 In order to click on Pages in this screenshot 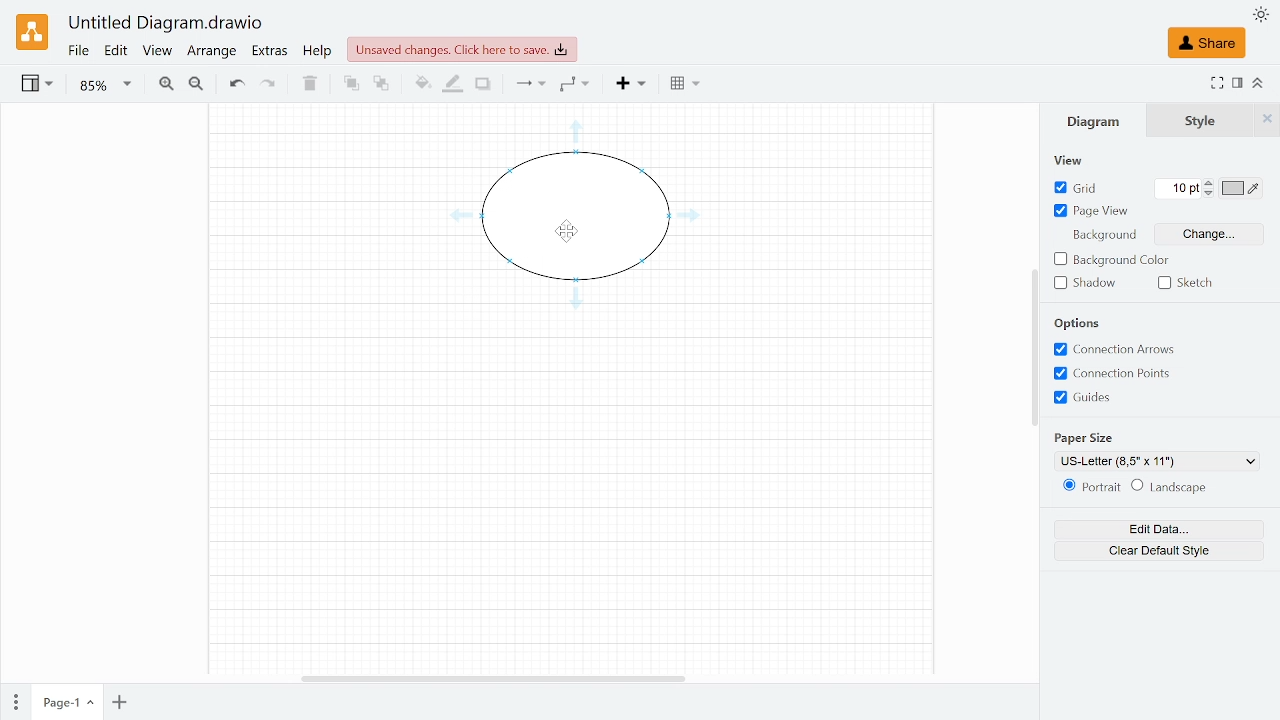, I will do `click(16, 701)`.